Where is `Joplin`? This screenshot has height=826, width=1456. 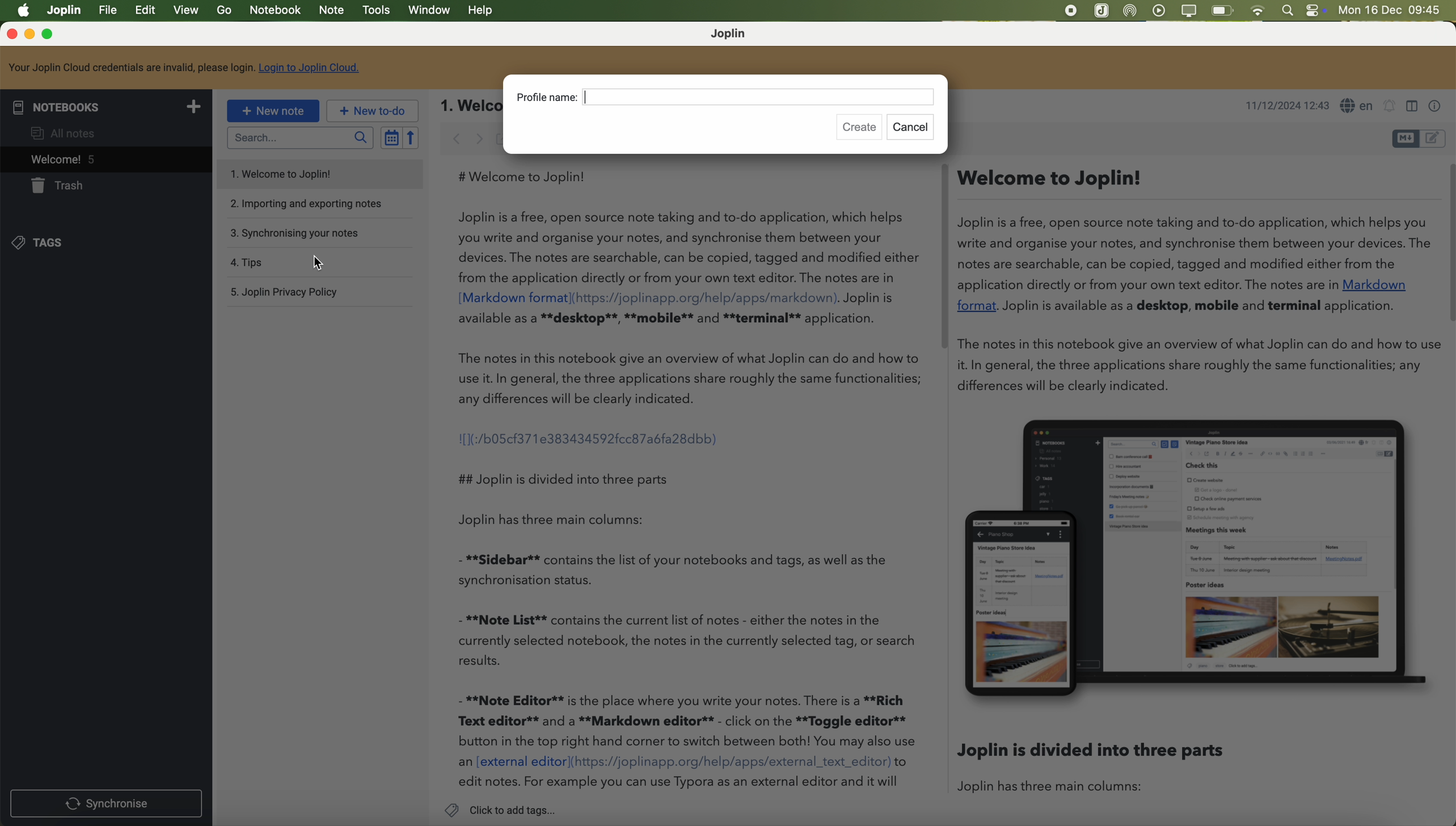 Joplin is located at coordinates (65, 10).